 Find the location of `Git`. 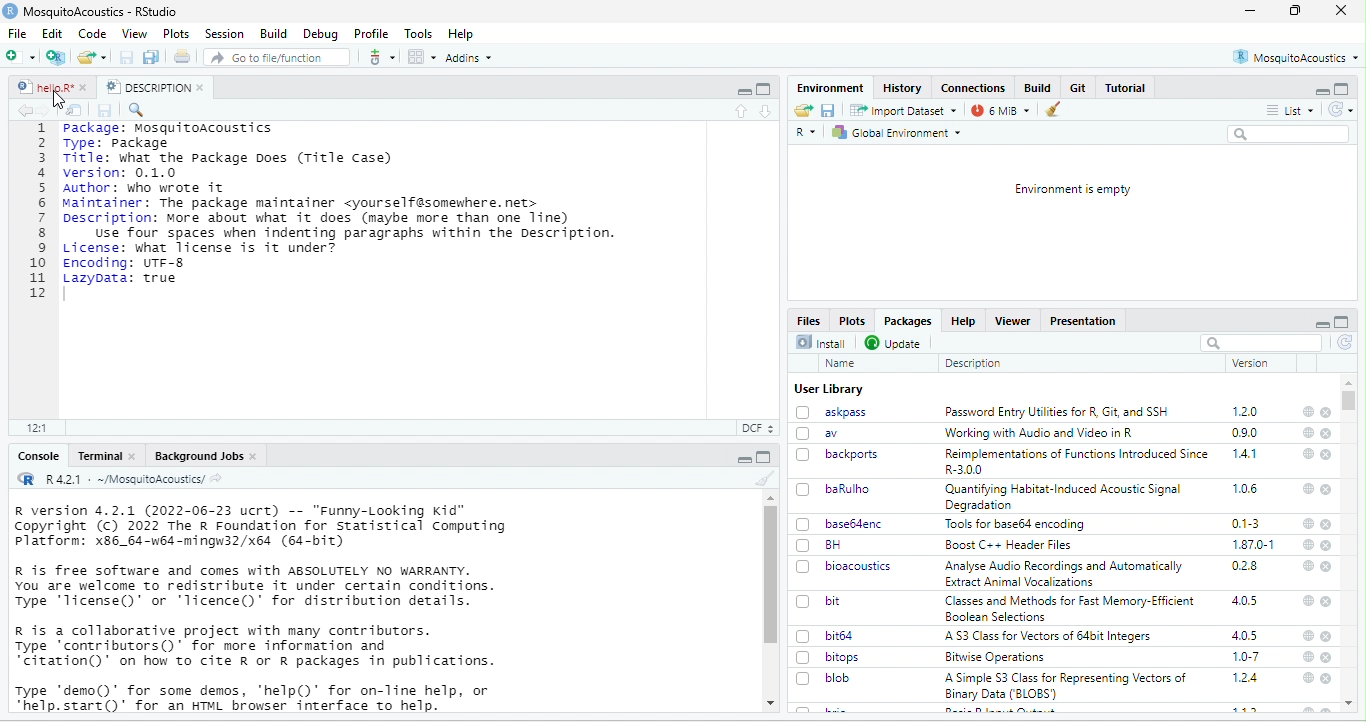

Git is located at coordinates (1079, 88).